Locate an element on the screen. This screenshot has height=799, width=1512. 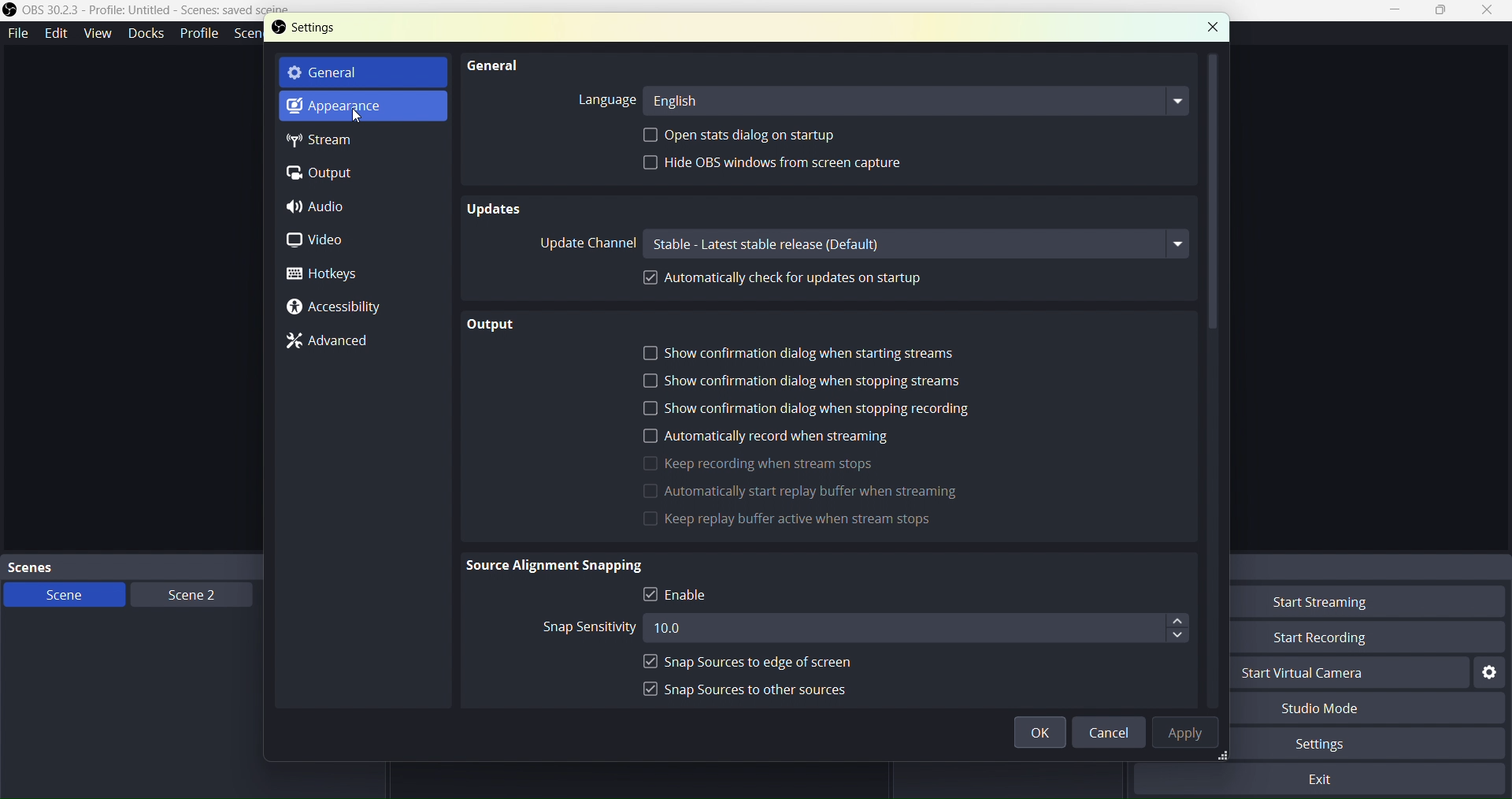
View is located at coordinates (95, 32).